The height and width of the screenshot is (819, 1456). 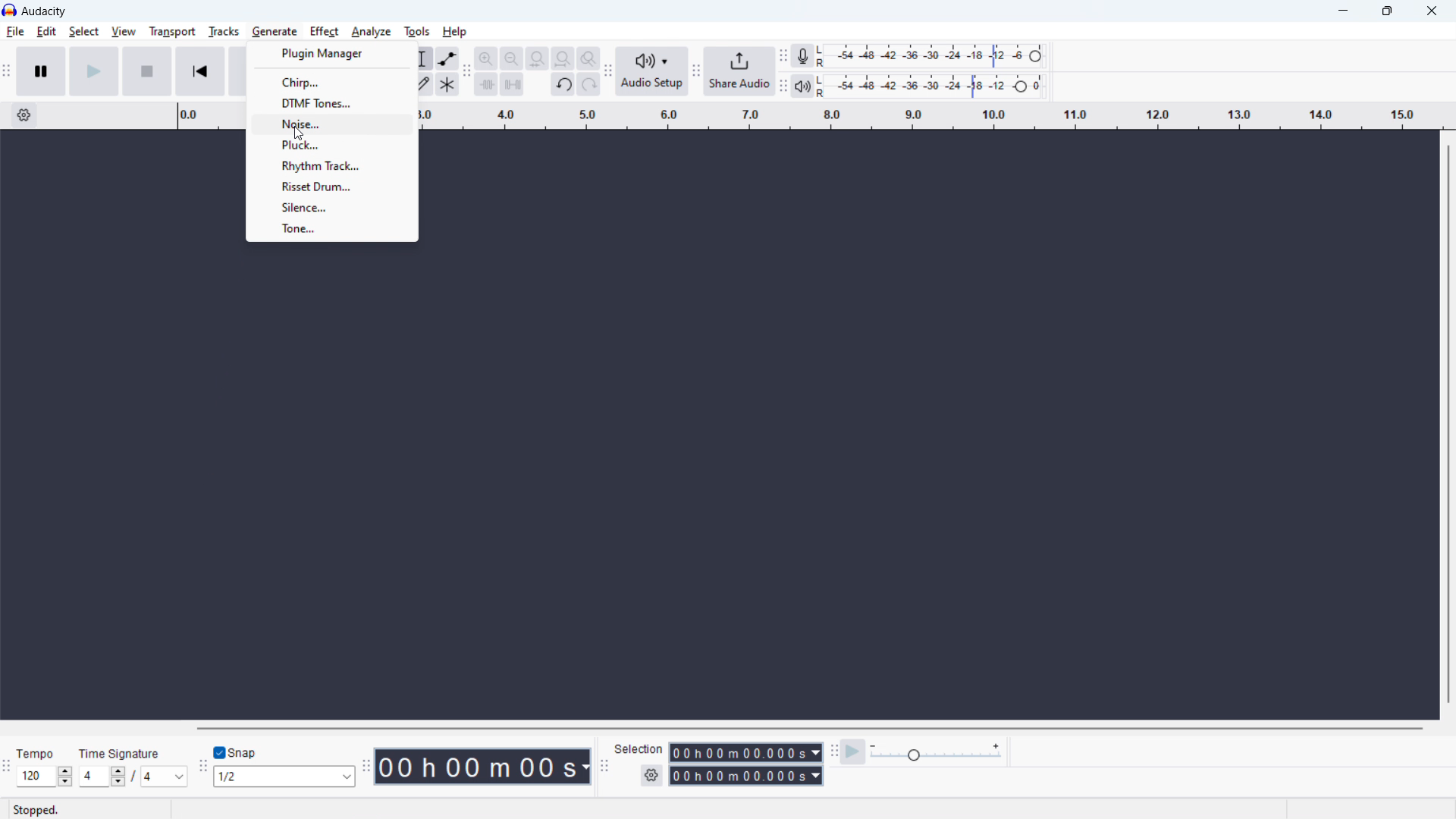 I want to click on select snapping, so click(x=286, y=777).